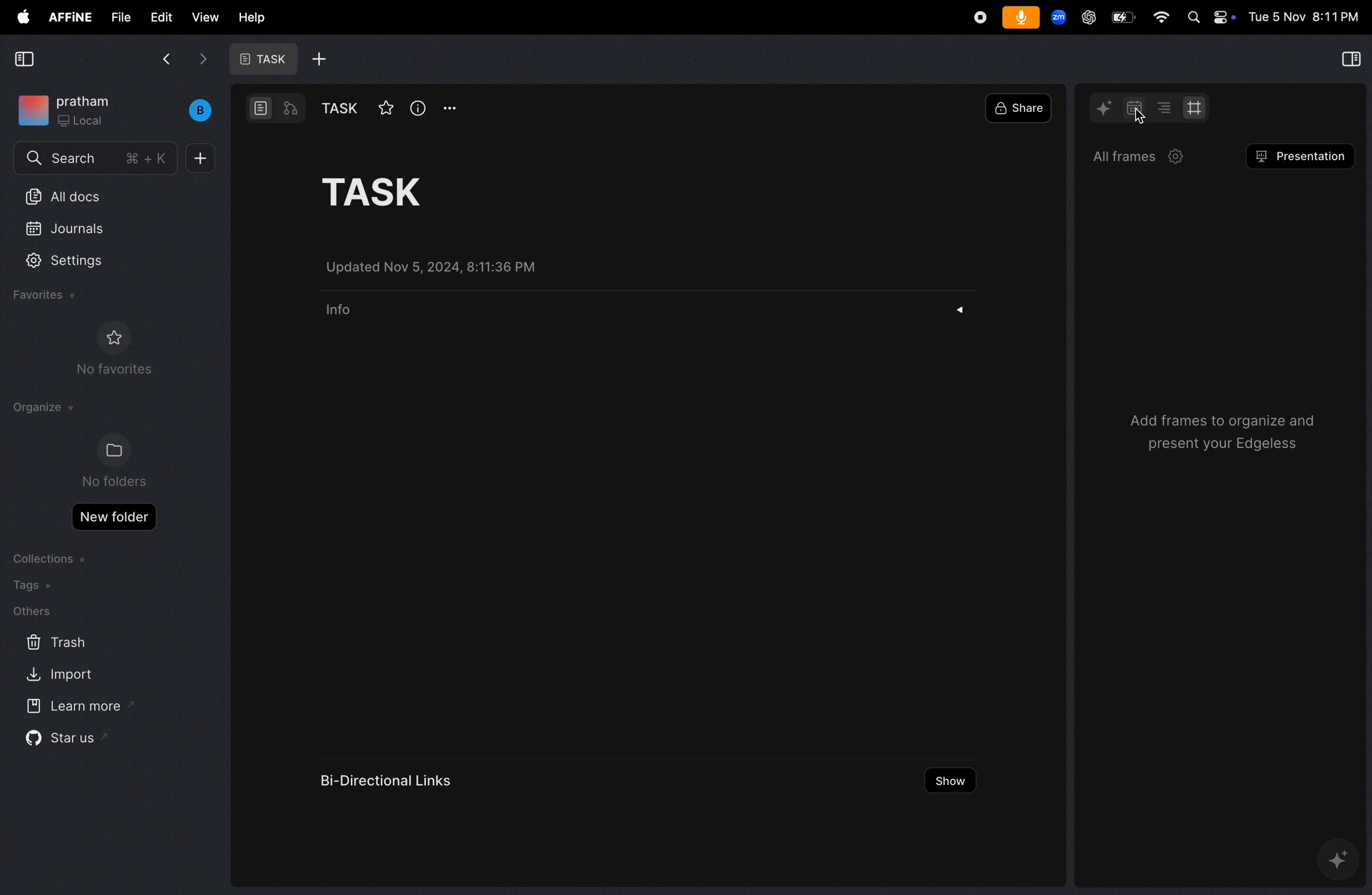  What do you see at coordinates (61, 676) in the screenshot?
I see `import` at bounding box center [61, 676].